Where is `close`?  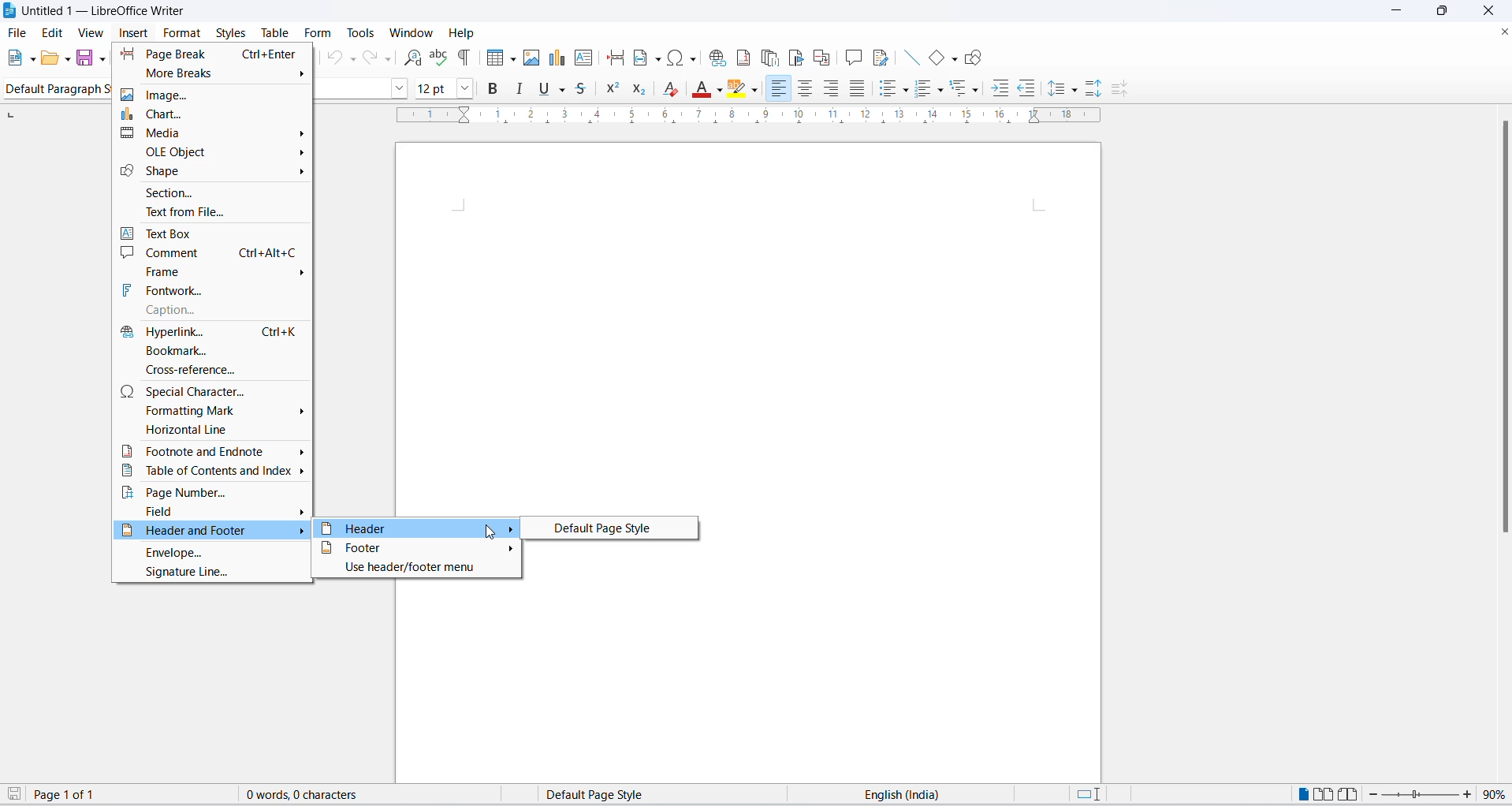
close is located at coordinates (1503, 29).